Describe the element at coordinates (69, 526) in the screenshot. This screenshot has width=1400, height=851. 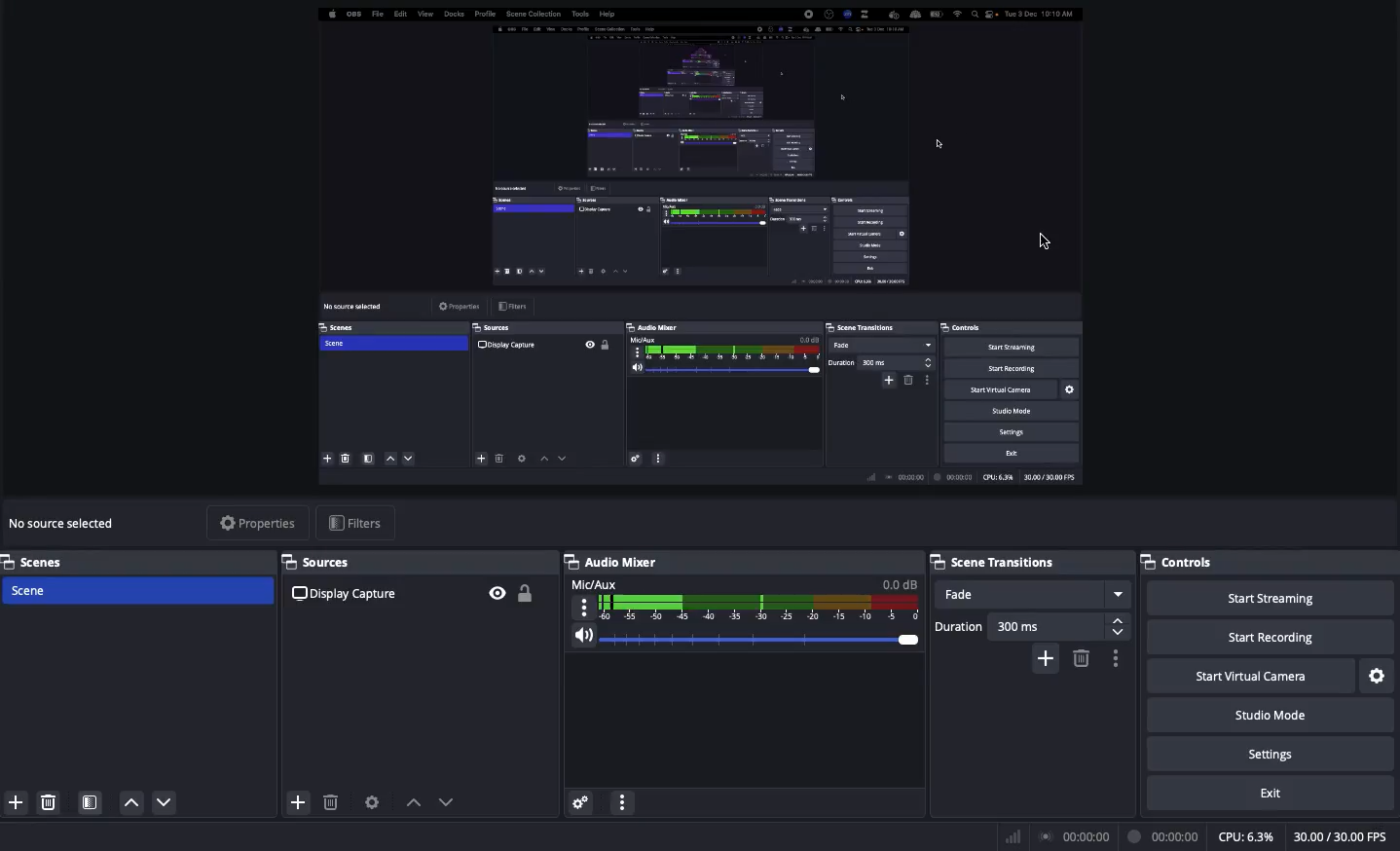
I see `Display capture` at that location.